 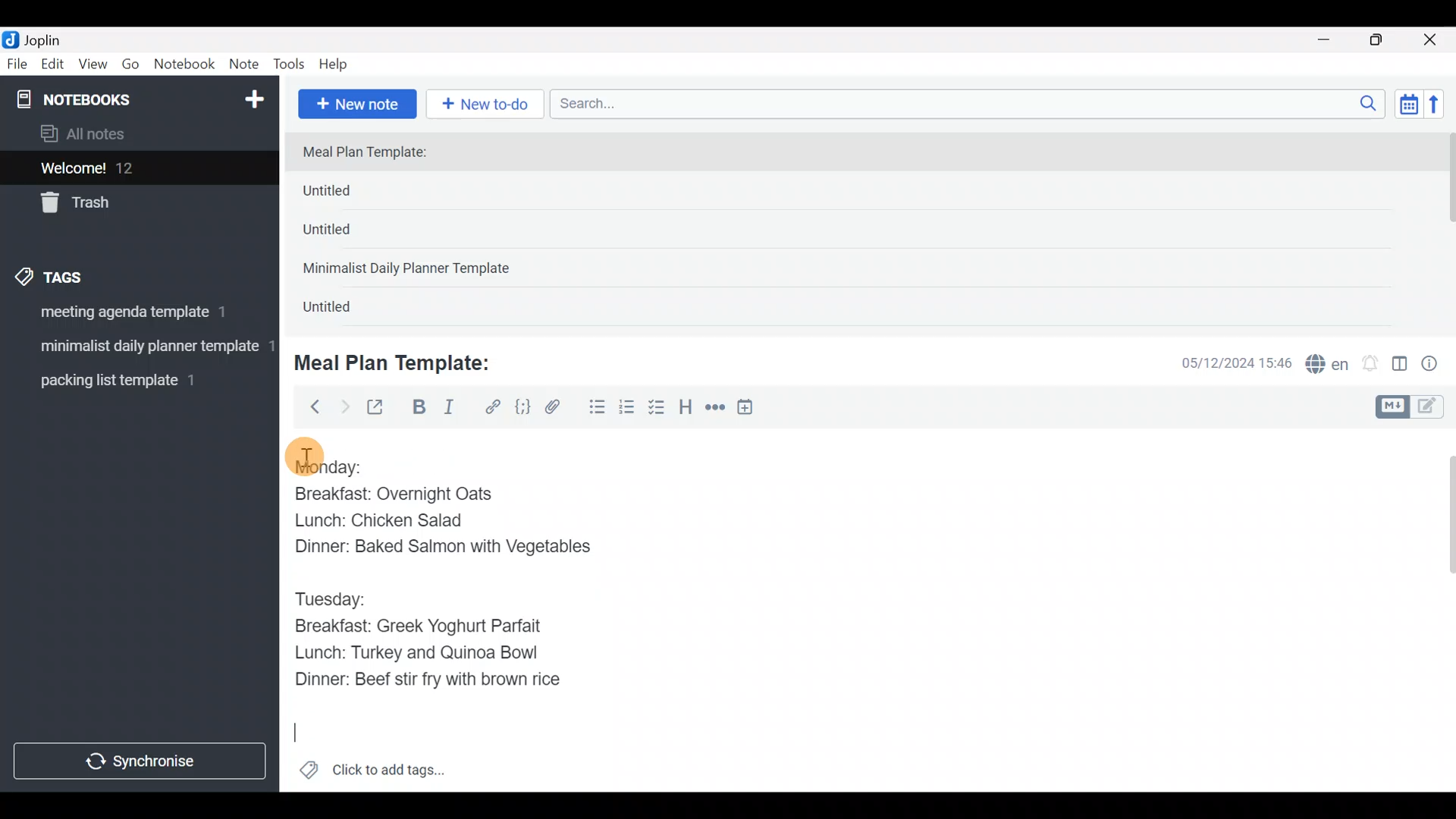 I want to click on Tags, so click(x=85, y=275).